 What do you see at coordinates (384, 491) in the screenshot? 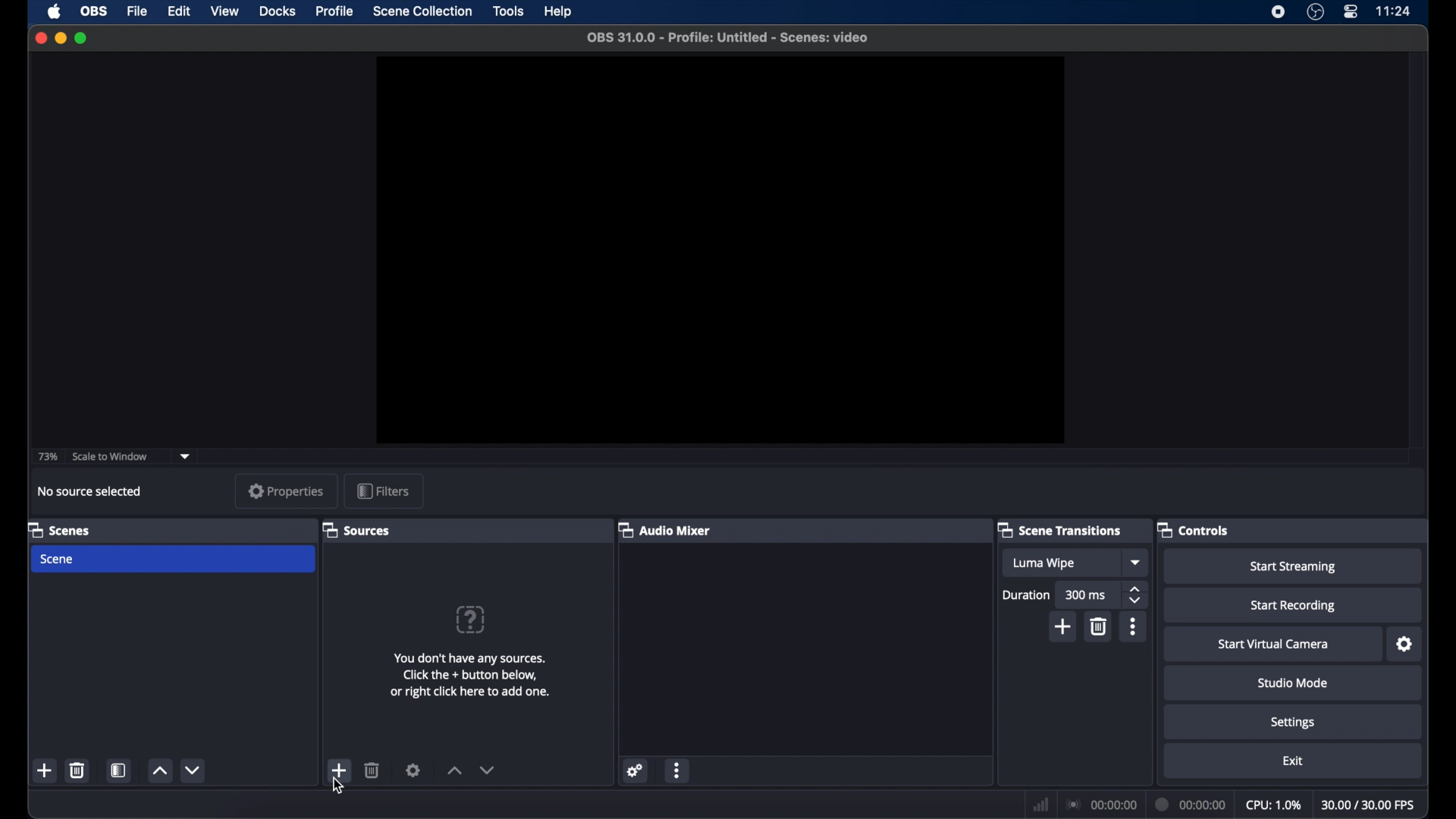
I see `filters` at bounding box center [384, 491].